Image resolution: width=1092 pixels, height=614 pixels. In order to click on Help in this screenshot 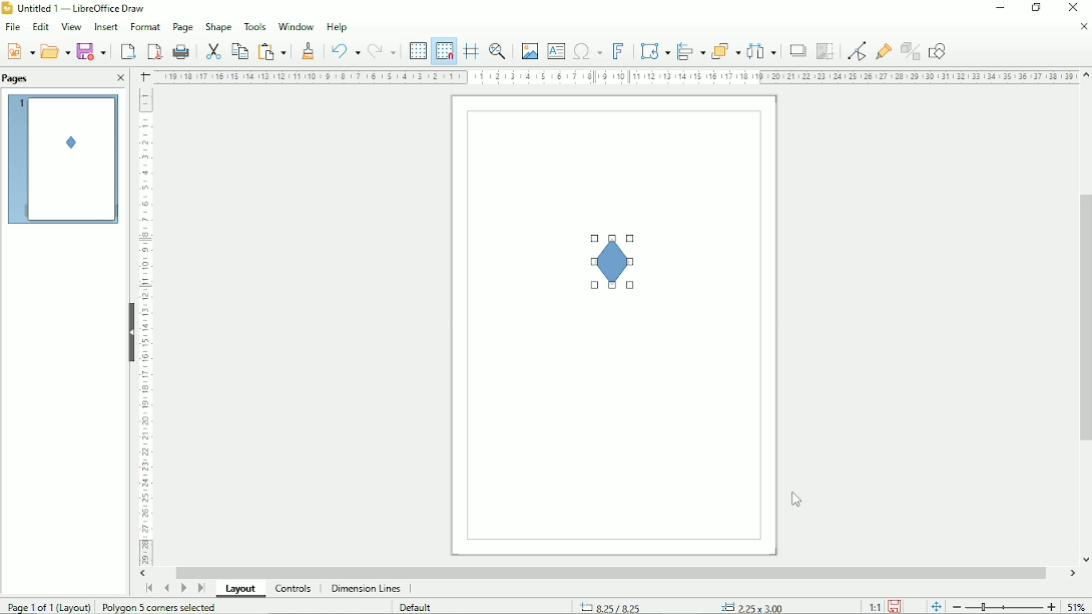, I will do `click(338, 26)`.